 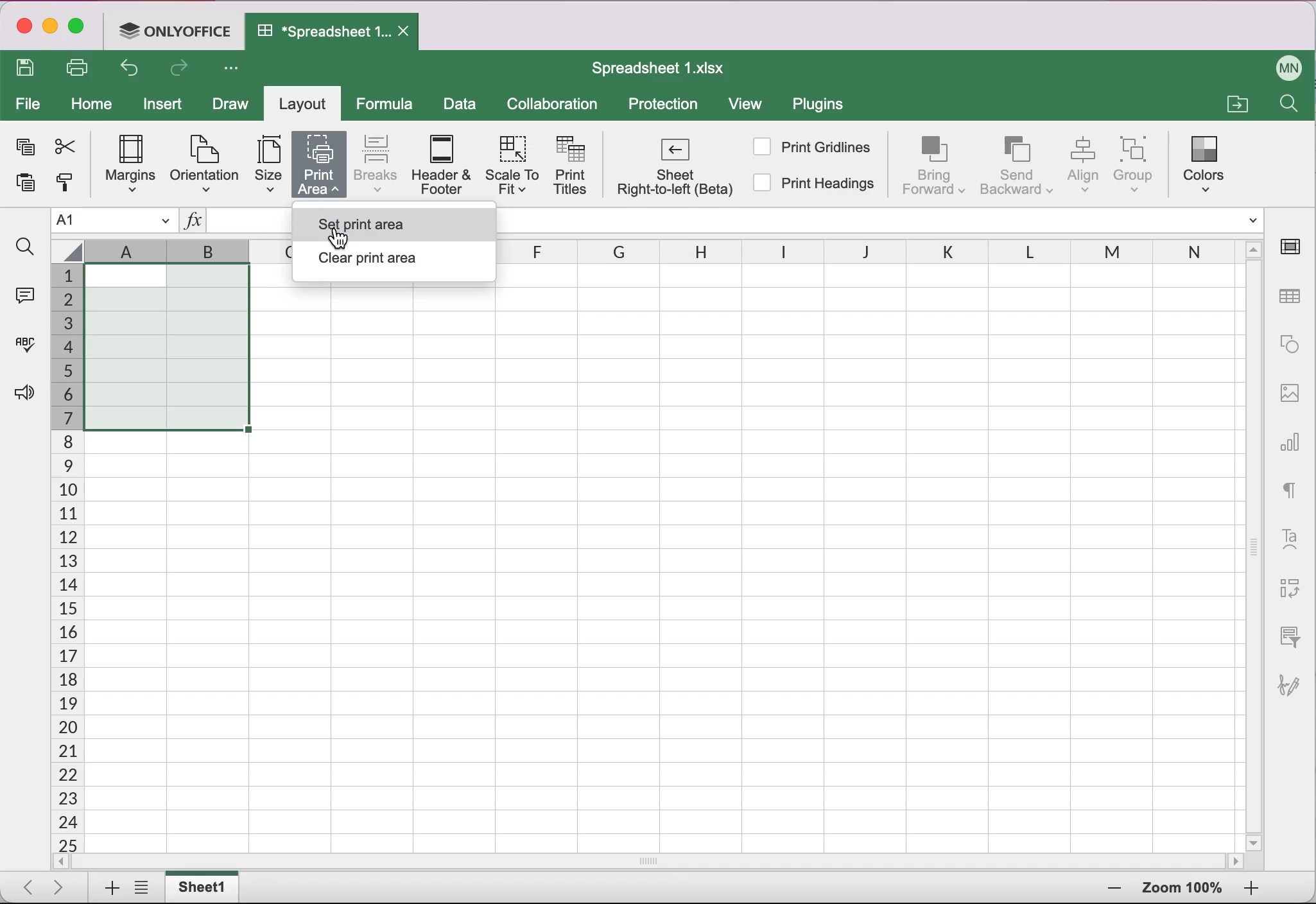 What do you see at coordinates (106, 889) in the screenshot?
I see `add sheet` at bounding box center [106, 889].